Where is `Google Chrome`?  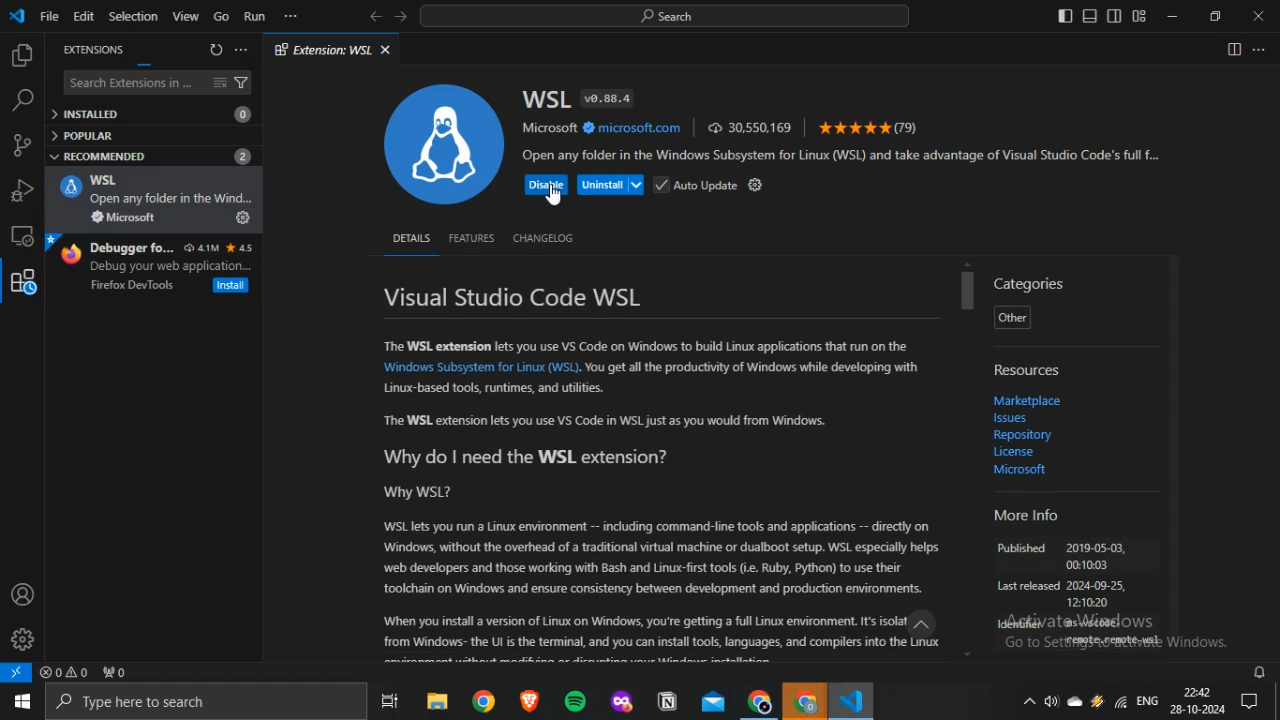 Google Chrome is located at coordinates (803, 700).